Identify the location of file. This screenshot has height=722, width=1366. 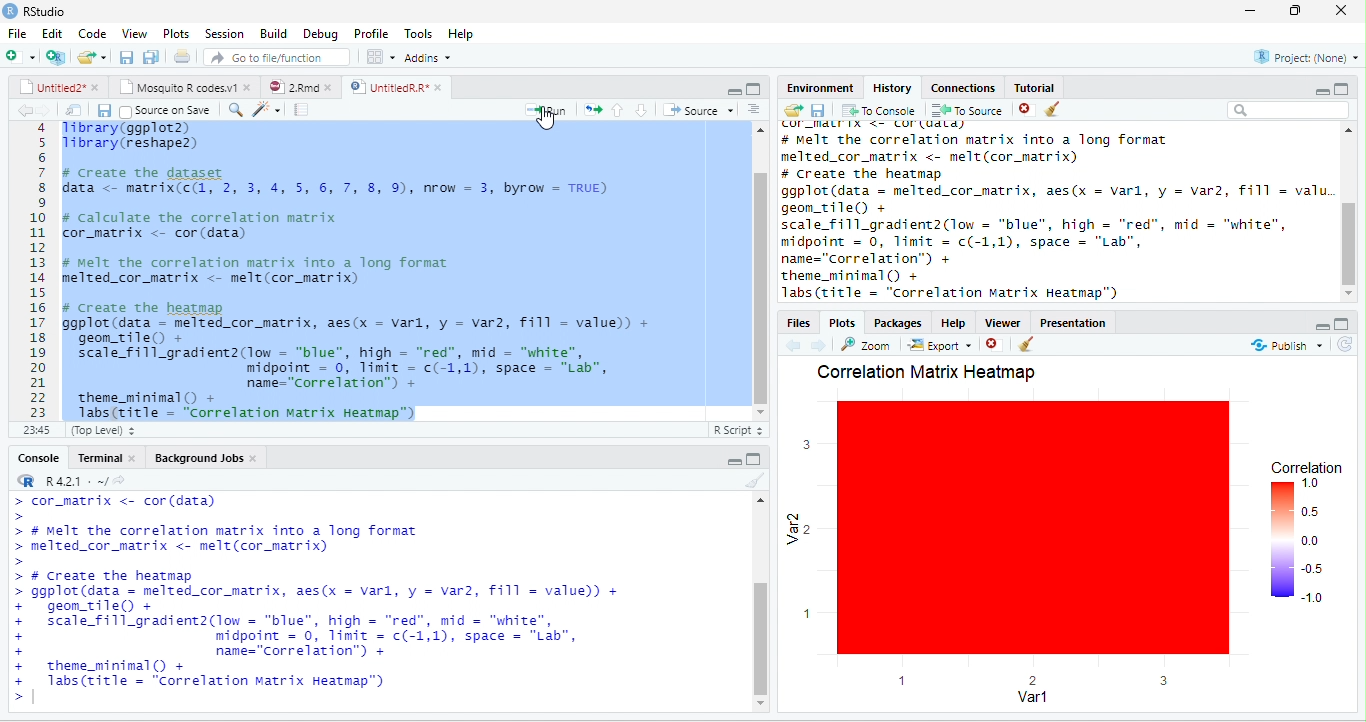
(17, 33).